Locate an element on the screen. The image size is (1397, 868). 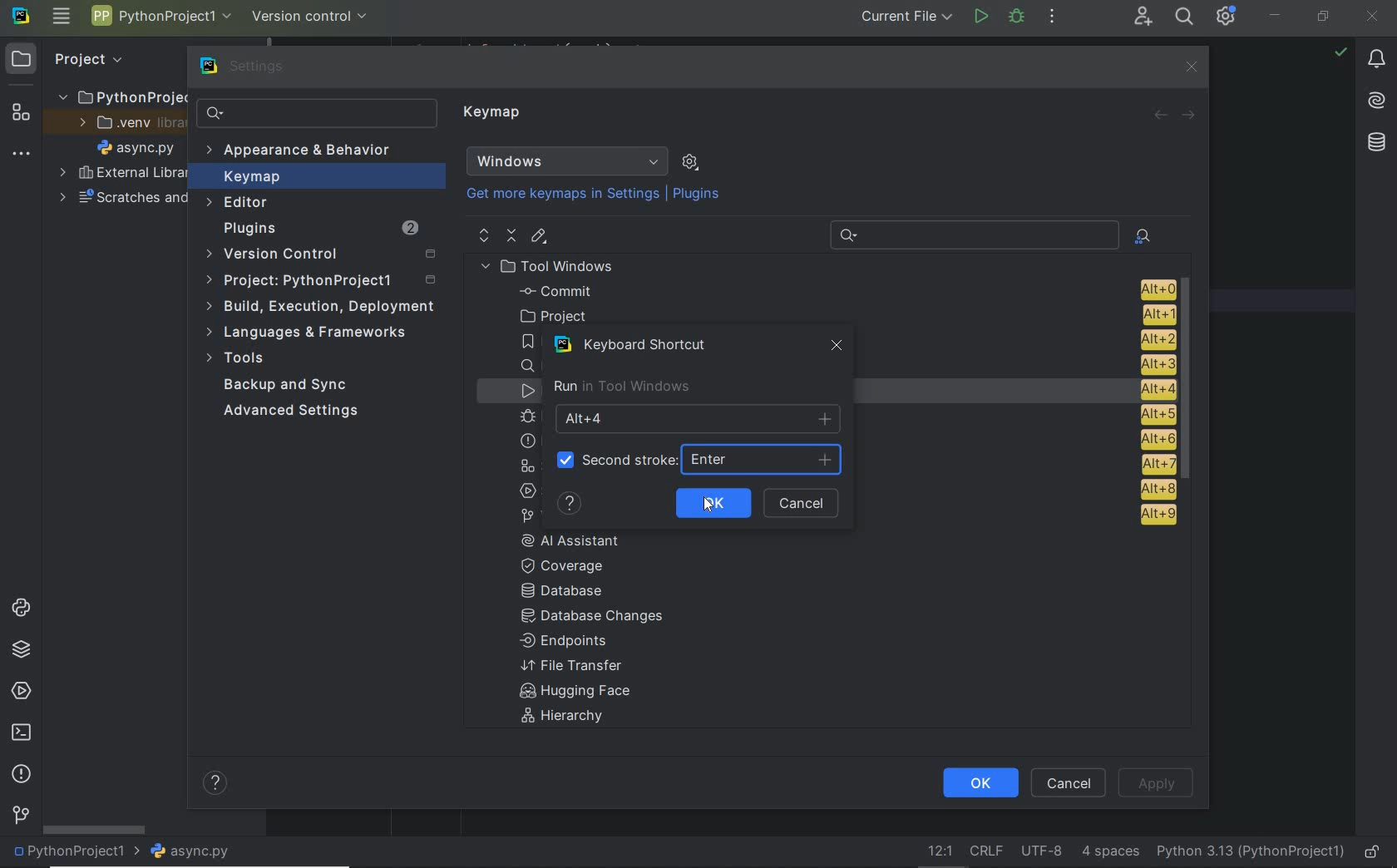
build, execution, deployment is located at coordinates (319, 307).